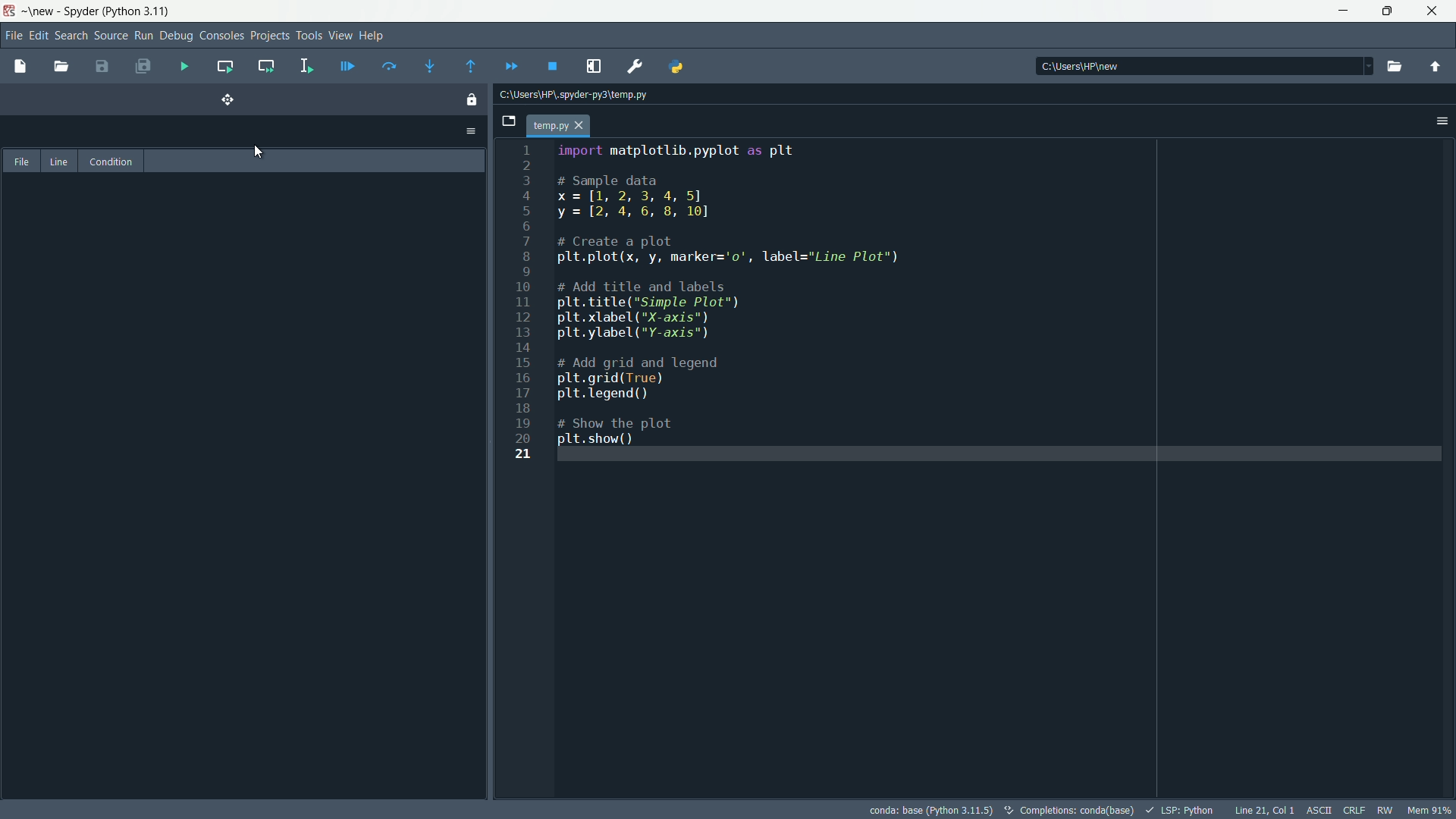 This screenshot has width=1456, height=819. What do you see at coordinates (1317, 811) in the screenshot?
I see `ASCII` at bounding box center [1317, 811].